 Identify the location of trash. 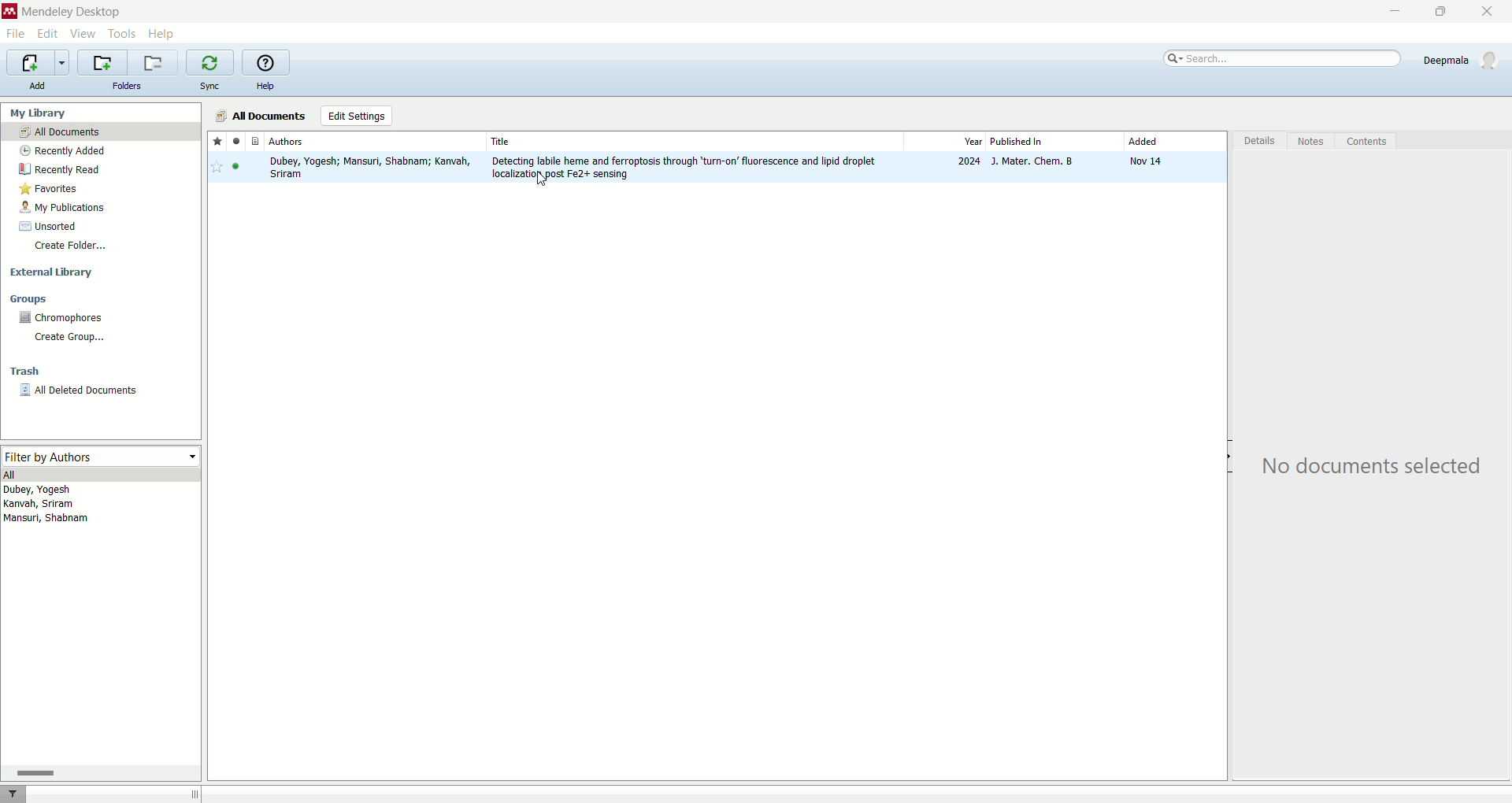
(23, 372).